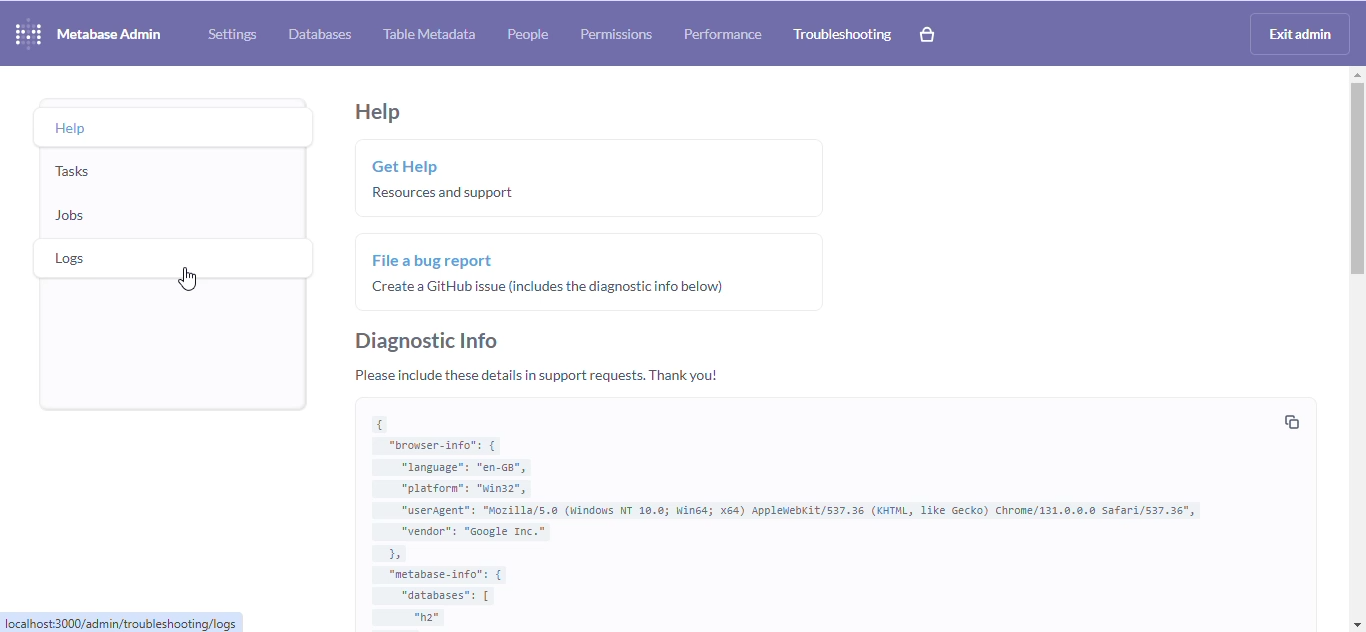  Describe the element at coordinates (591, 270) in the screenshot. I see `file a bug report` at that location.